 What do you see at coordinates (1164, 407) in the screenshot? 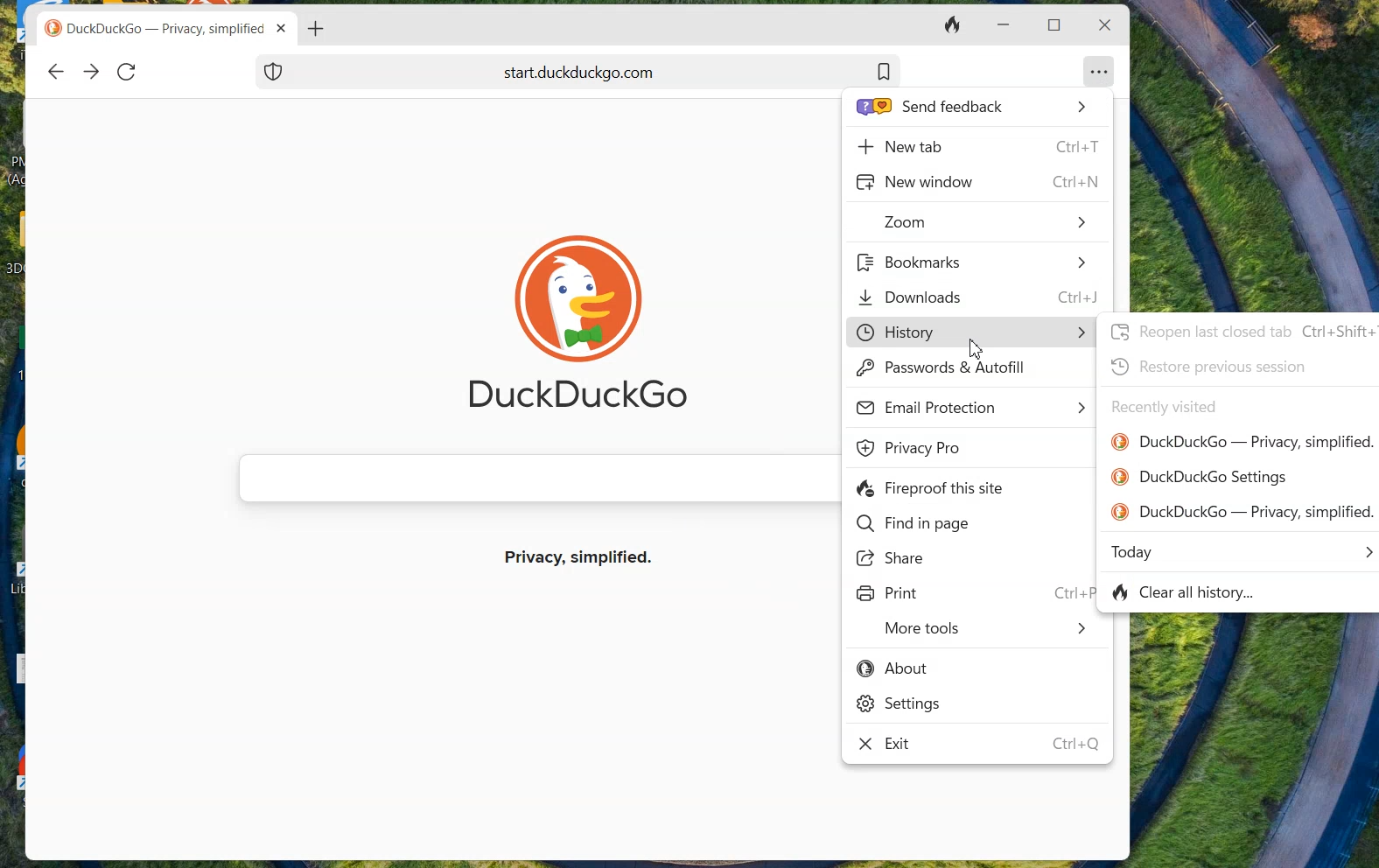
I see `Recently visited` at bounding box center [1164, 407].